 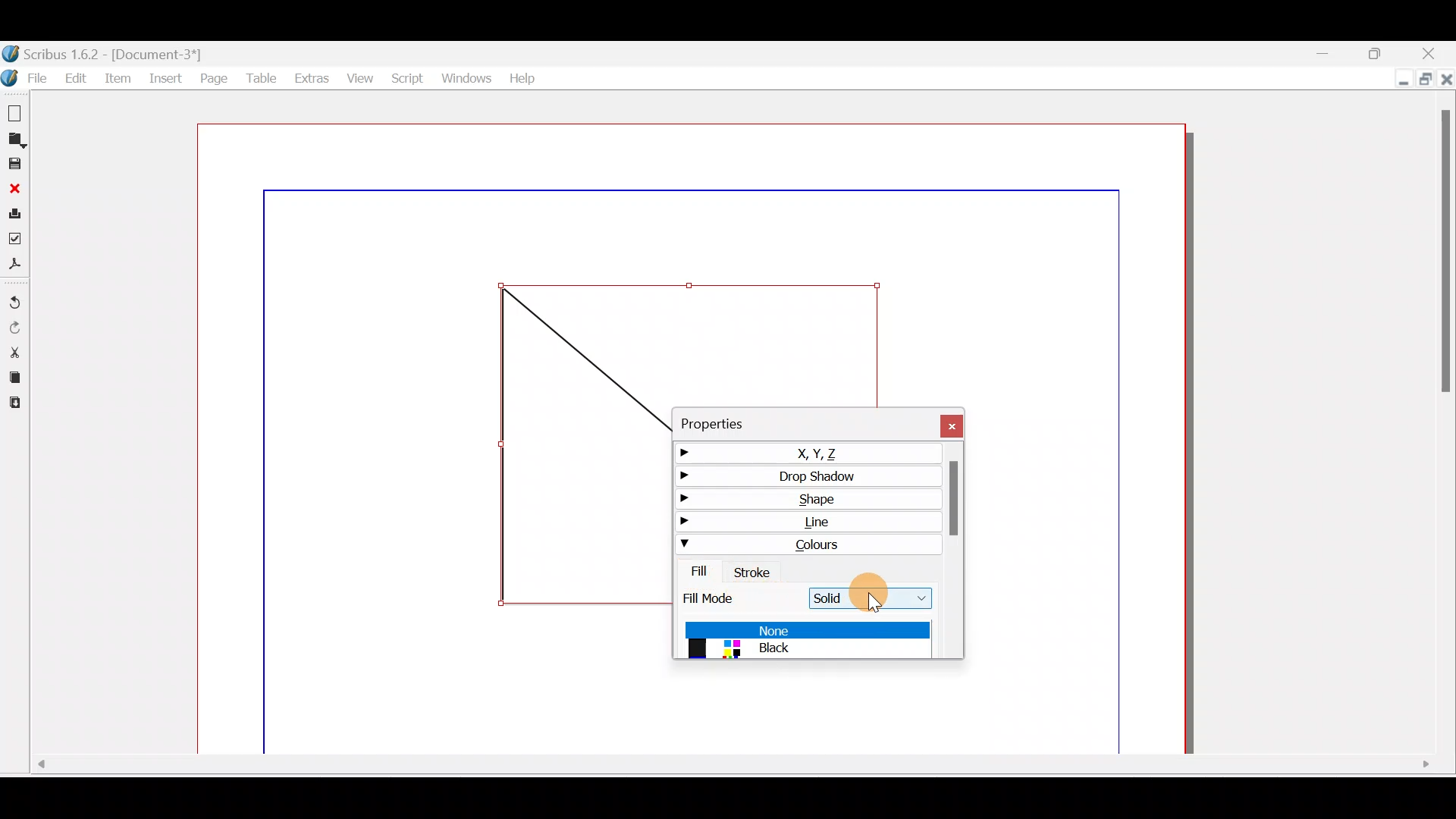 What do you see at coordinates (17, 139) in the screenshot?
I see `Open` at bounding box center [17, 139].